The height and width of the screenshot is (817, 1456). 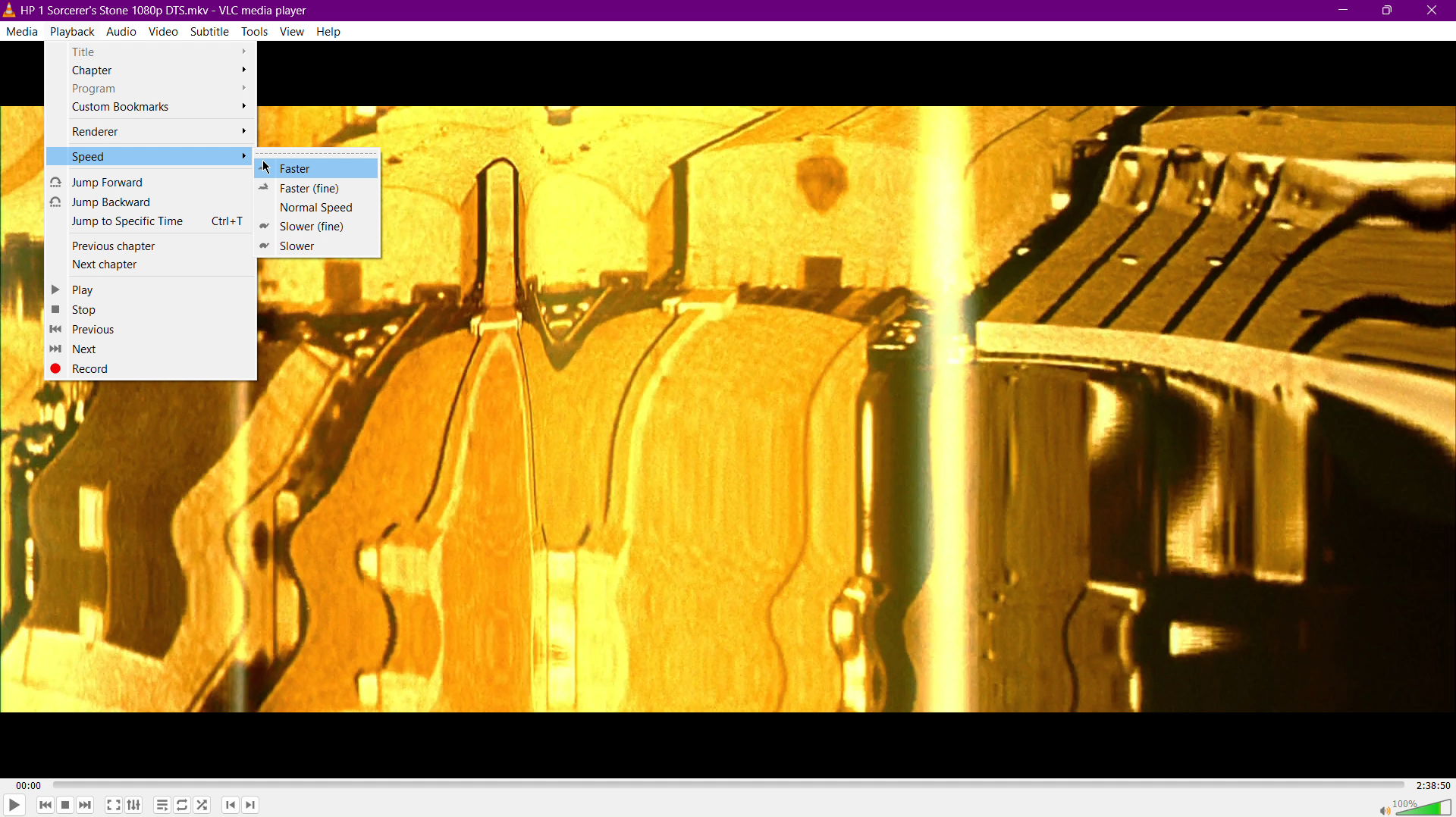 What do you see at coordinates (328, 31) in the screenshot?
I see `Help` at bounding box center [328, 31].